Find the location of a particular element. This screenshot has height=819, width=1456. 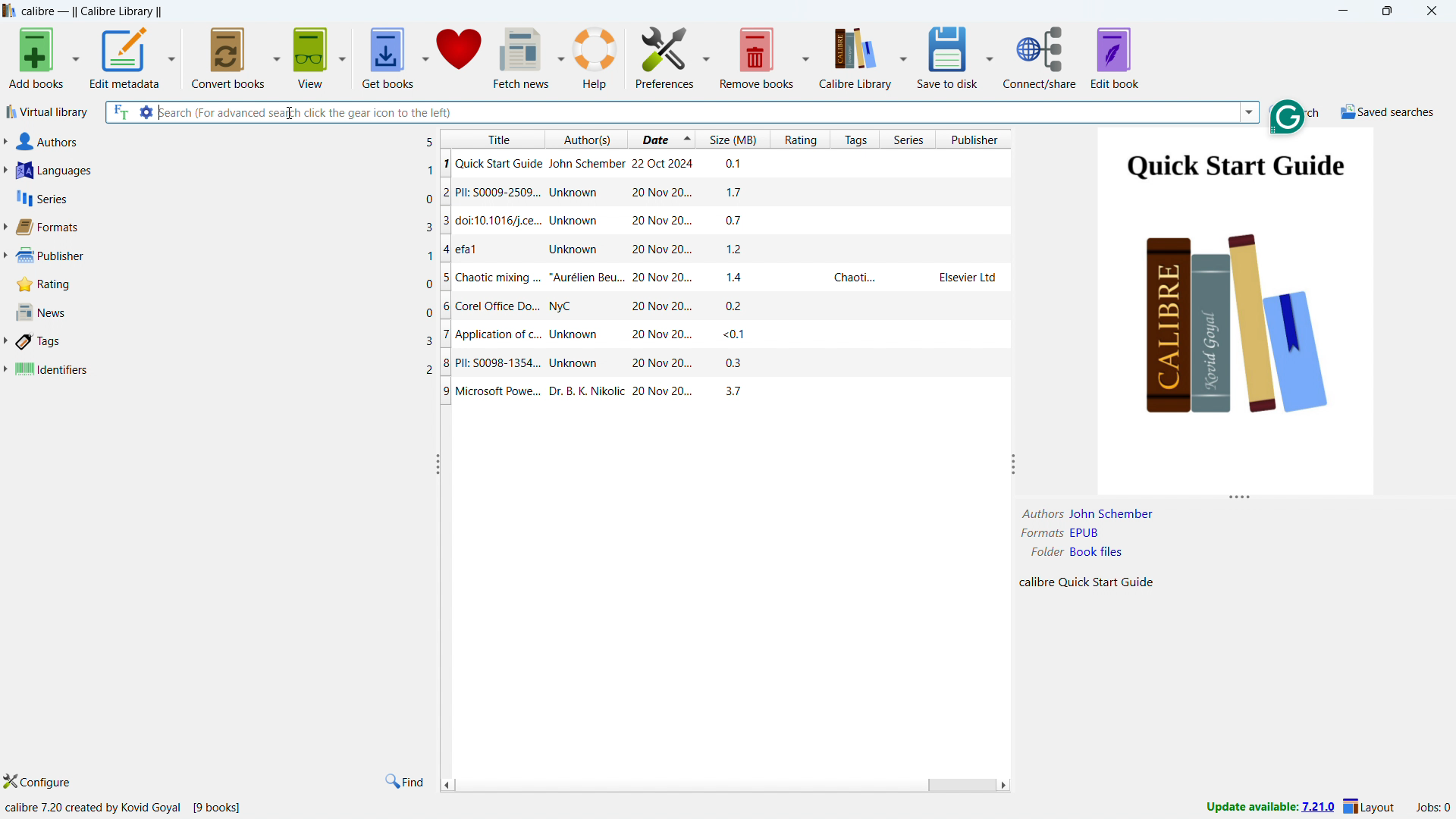

series is located at coordinates (225, 197).